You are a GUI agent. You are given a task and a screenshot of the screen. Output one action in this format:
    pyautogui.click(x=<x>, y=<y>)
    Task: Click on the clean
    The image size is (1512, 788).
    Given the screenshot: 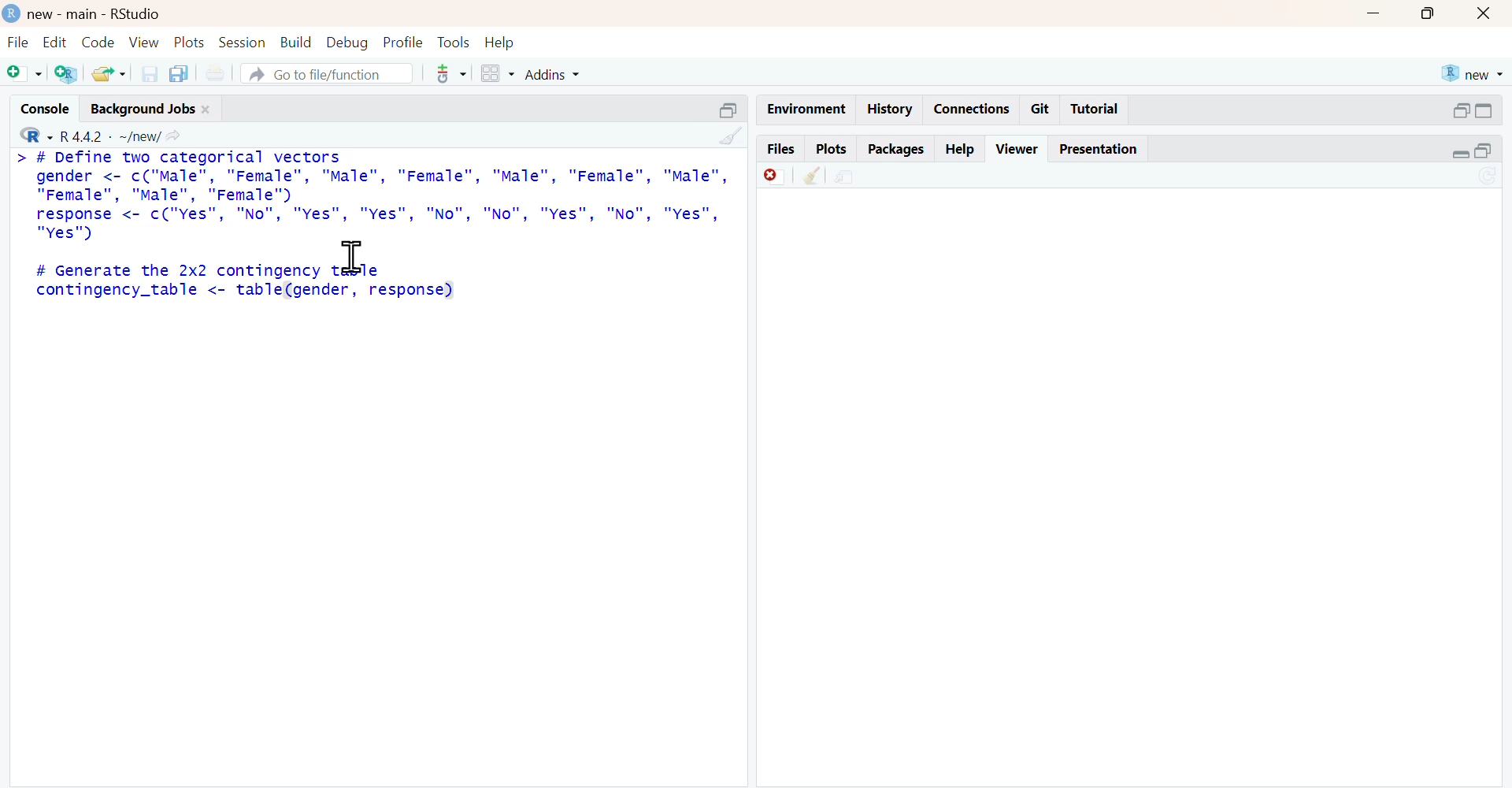 What is the action you would take?
    pyautogui.click(x=812, y=176)
    